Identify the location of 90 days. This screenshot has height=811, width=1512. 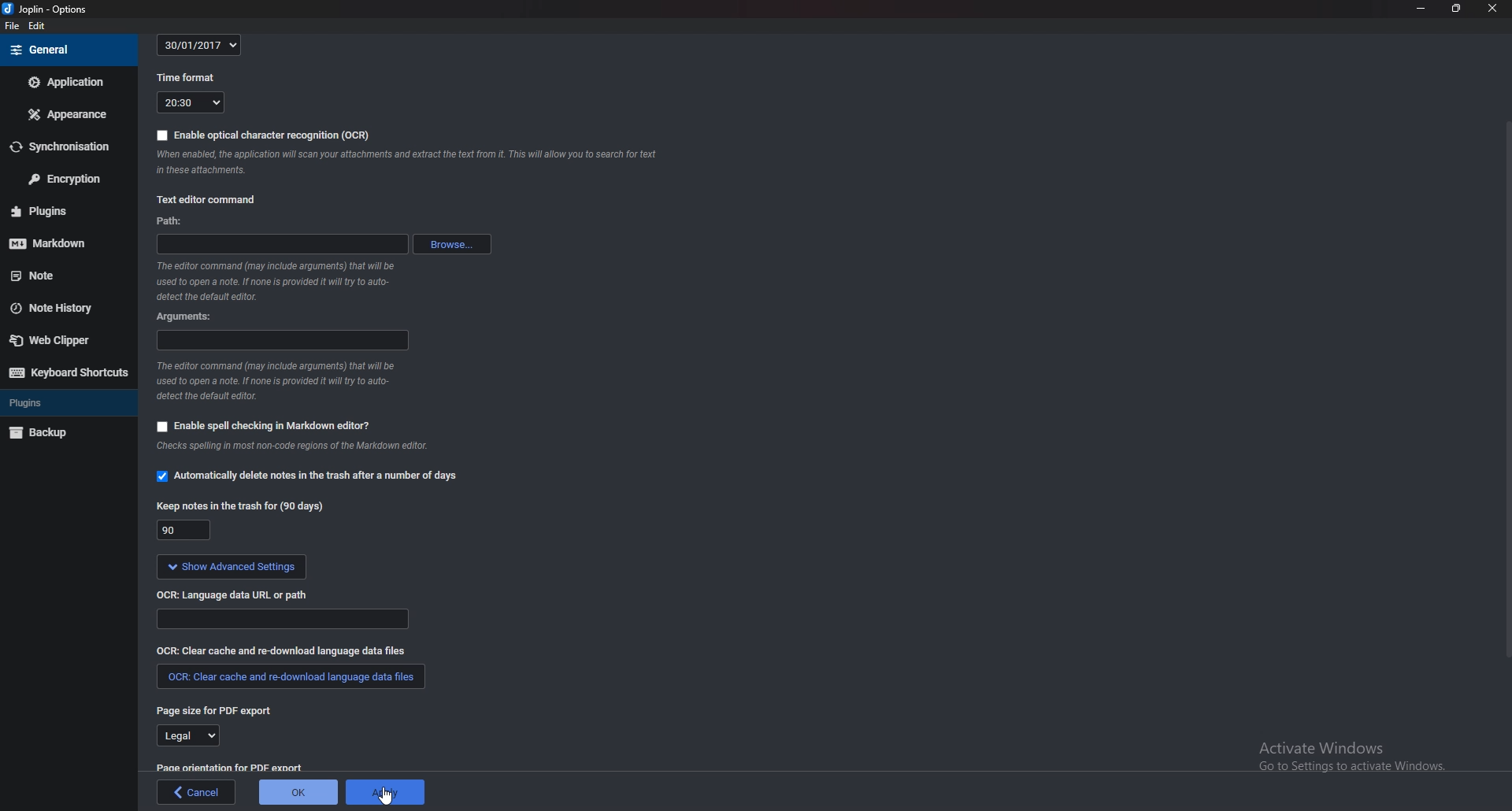
(184, 531).